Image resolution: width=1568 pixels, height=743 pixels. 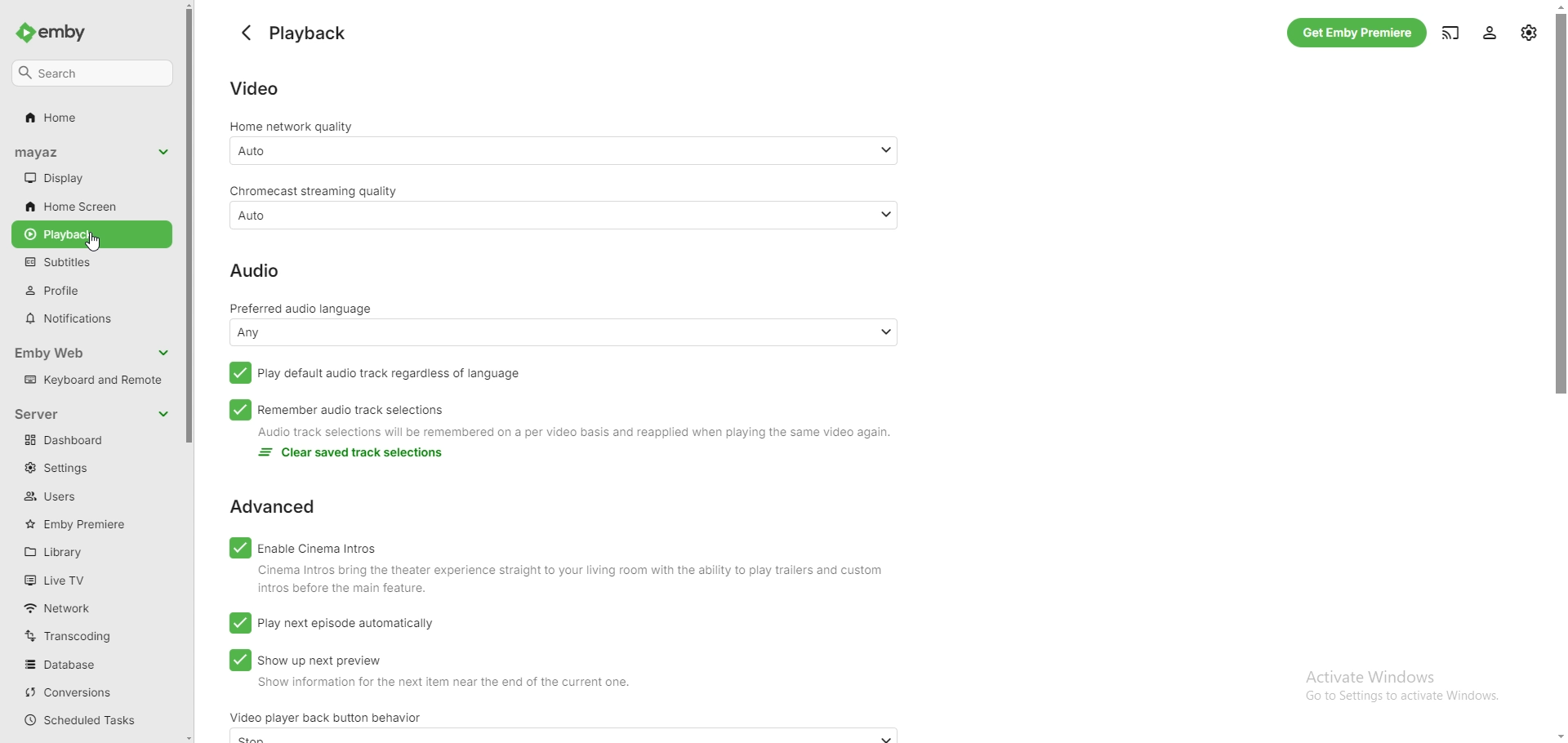 I want to click on get emby premium, so click(x=1357, y=33).